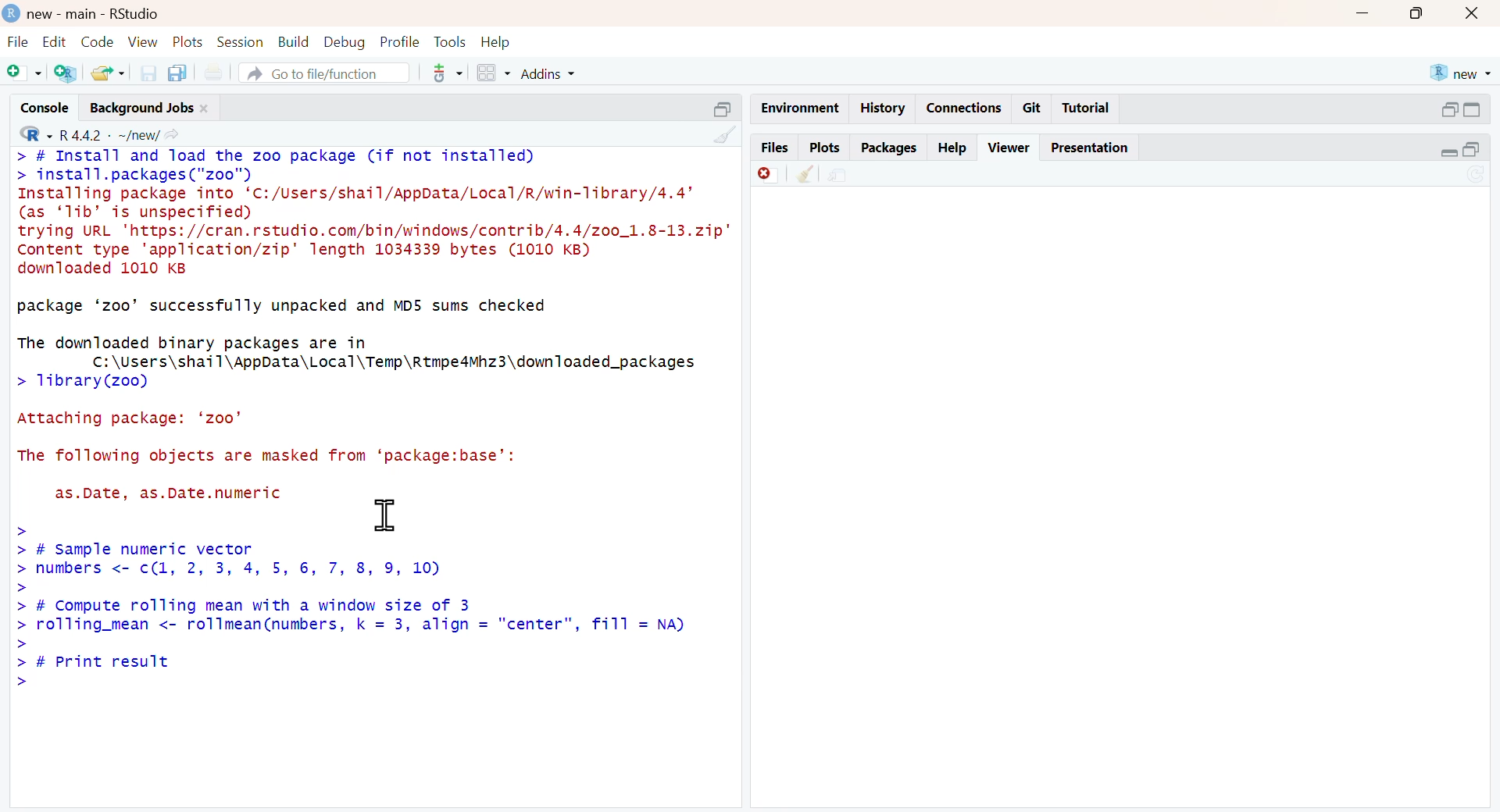 The height and width of the screenshot is (812, 1500). I want to click on connections, so click(961, 108).